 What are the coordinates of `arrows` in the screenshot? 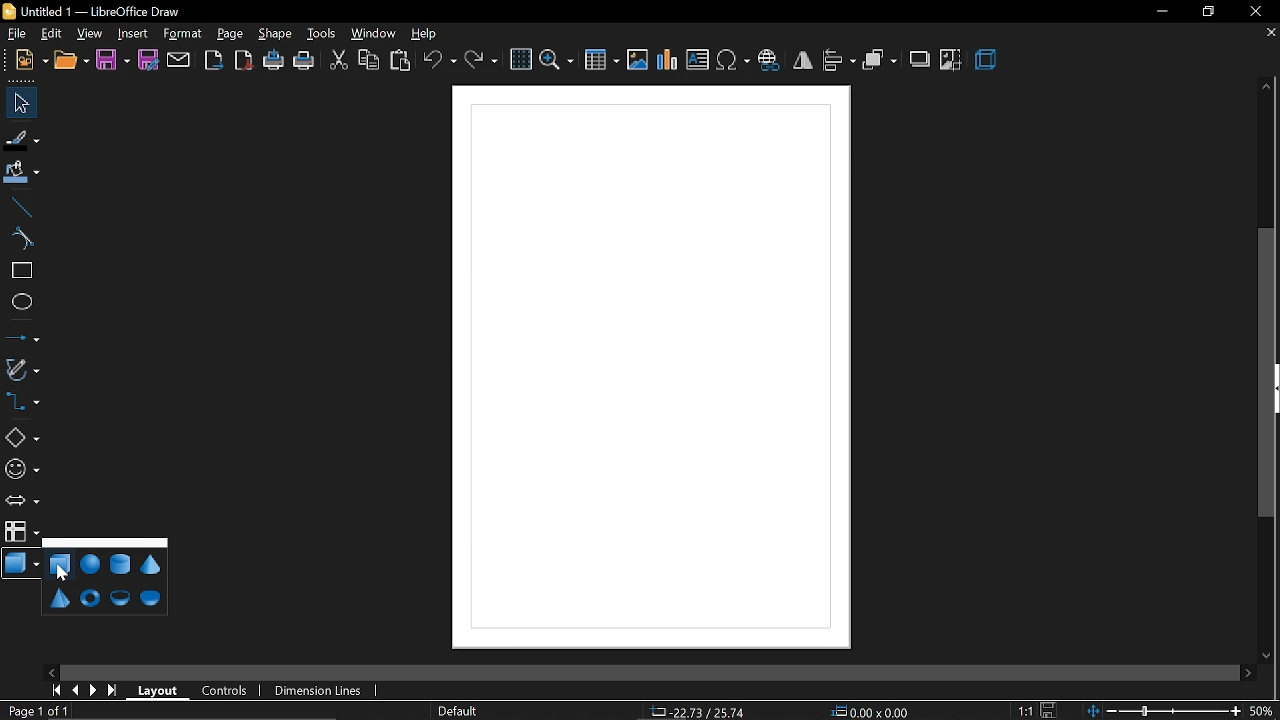 It's located at (22, 500).